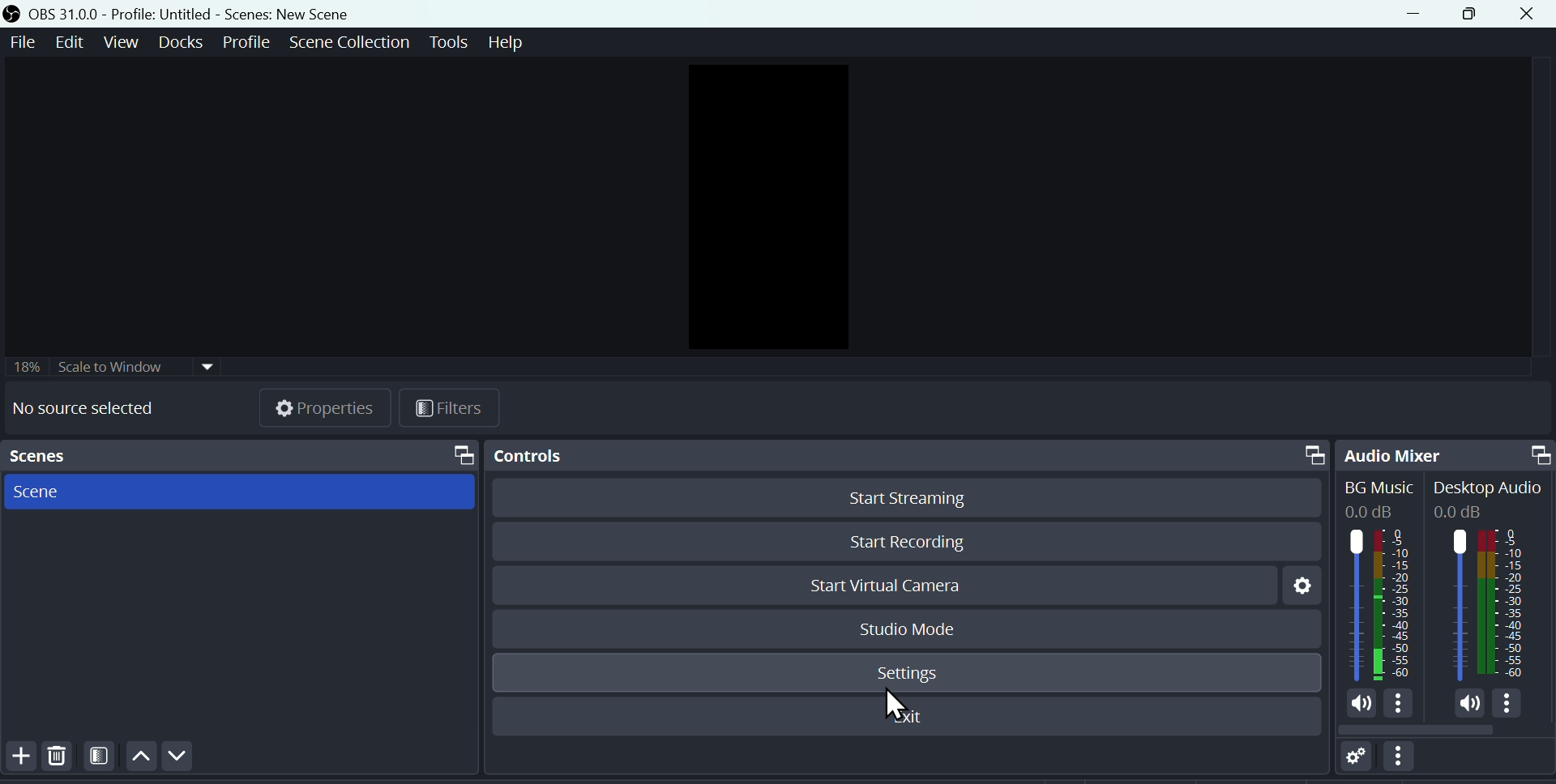 The image size is (1556, 784). I want to click on Properties, so click(325, 411).